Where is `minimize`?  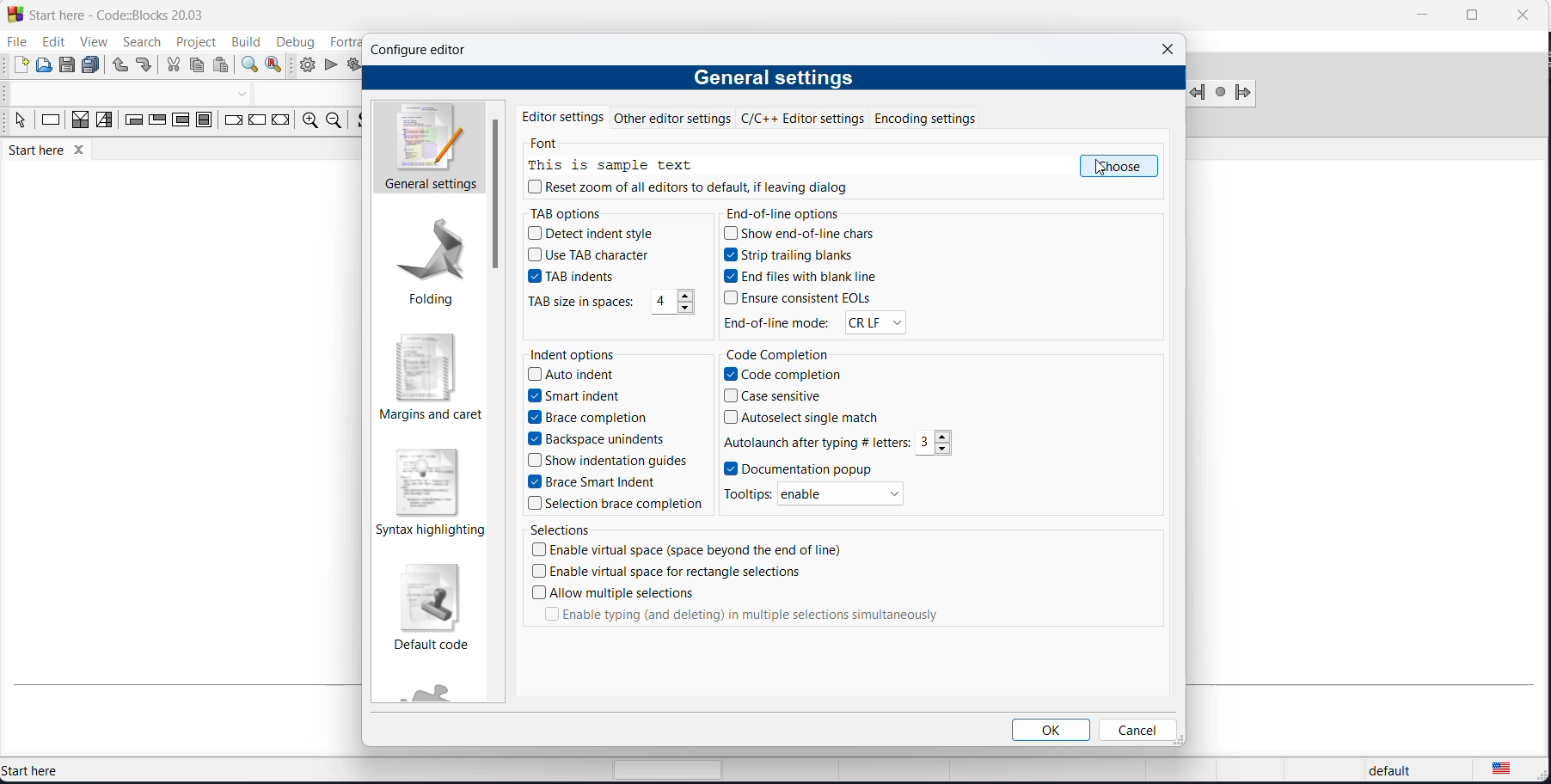 minimize is located at coordinates (1419, 17).